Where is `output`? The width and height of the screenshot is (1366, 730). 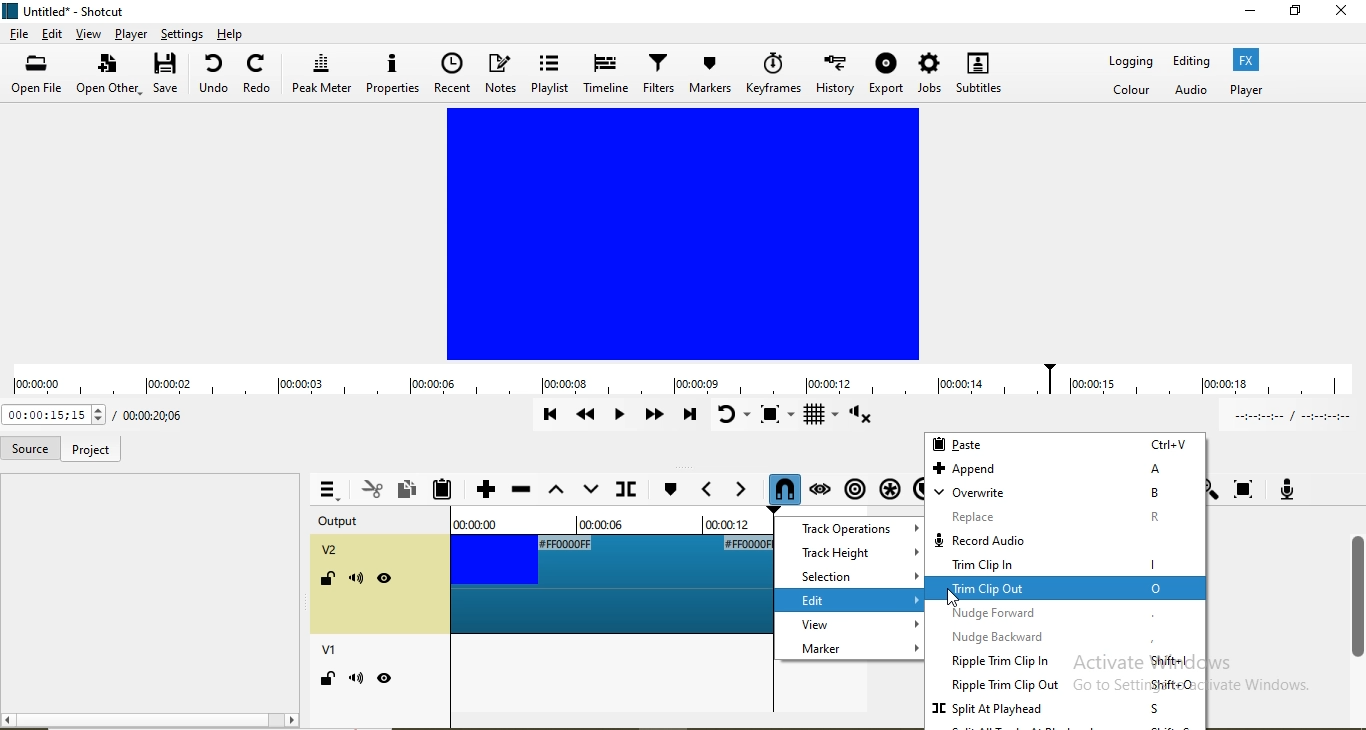 output is located at coordinates (352, 522).